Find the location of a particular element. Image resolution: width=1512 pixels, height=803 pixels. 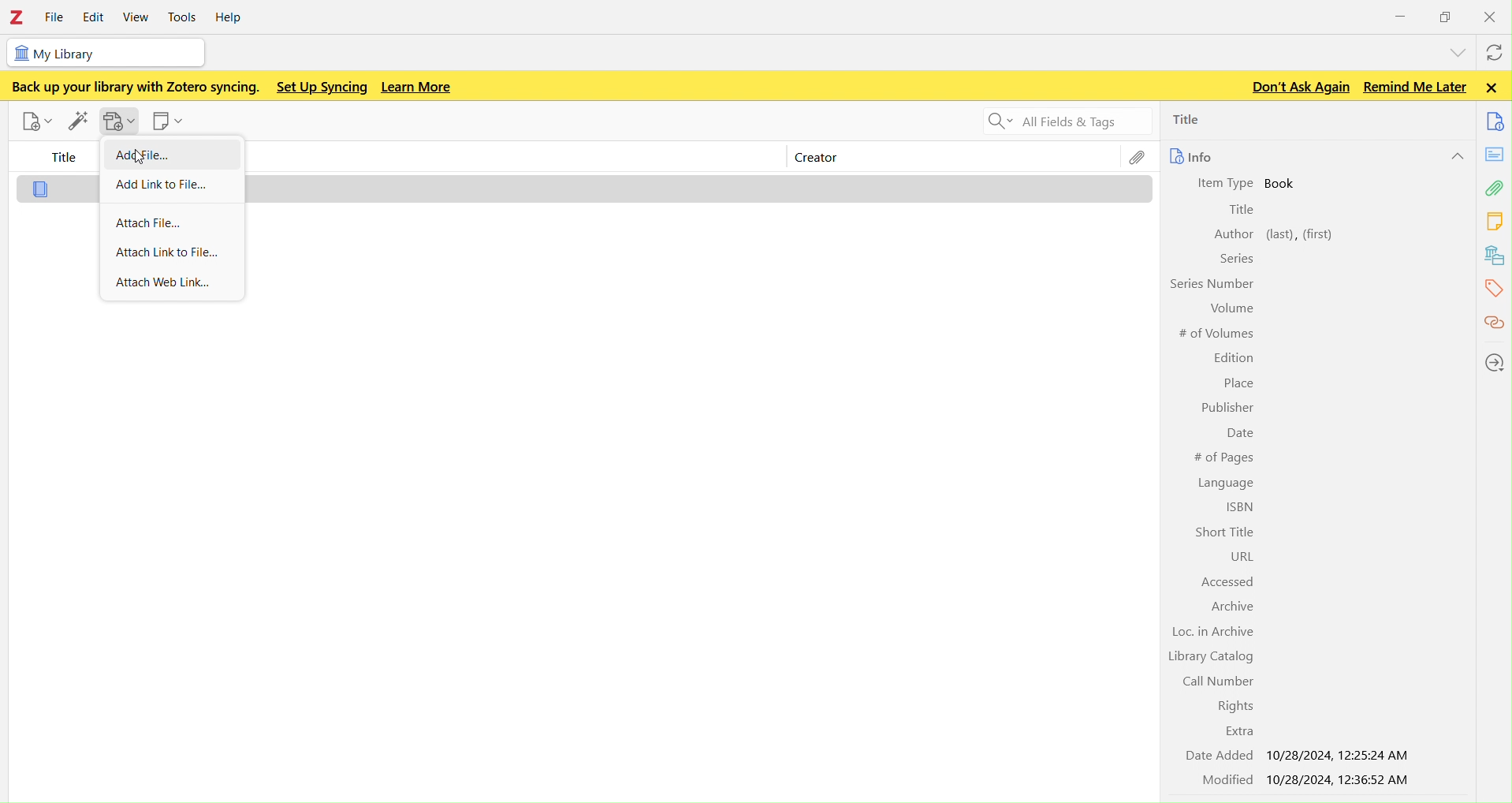

windows is located at coordinates (1447, 14).